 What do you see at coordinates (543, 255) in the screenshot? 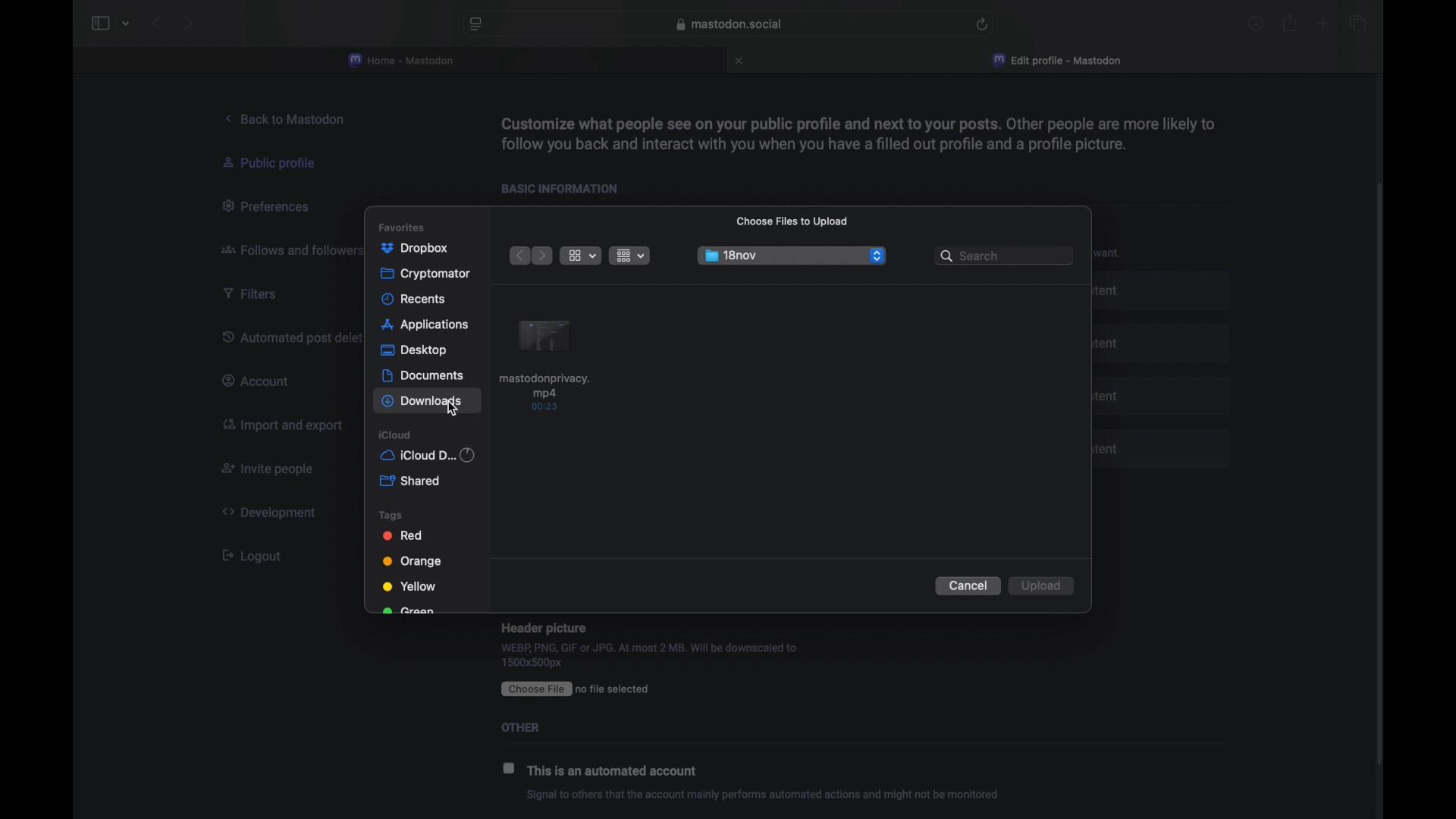
I see `next` at bounding box center [543, 255].